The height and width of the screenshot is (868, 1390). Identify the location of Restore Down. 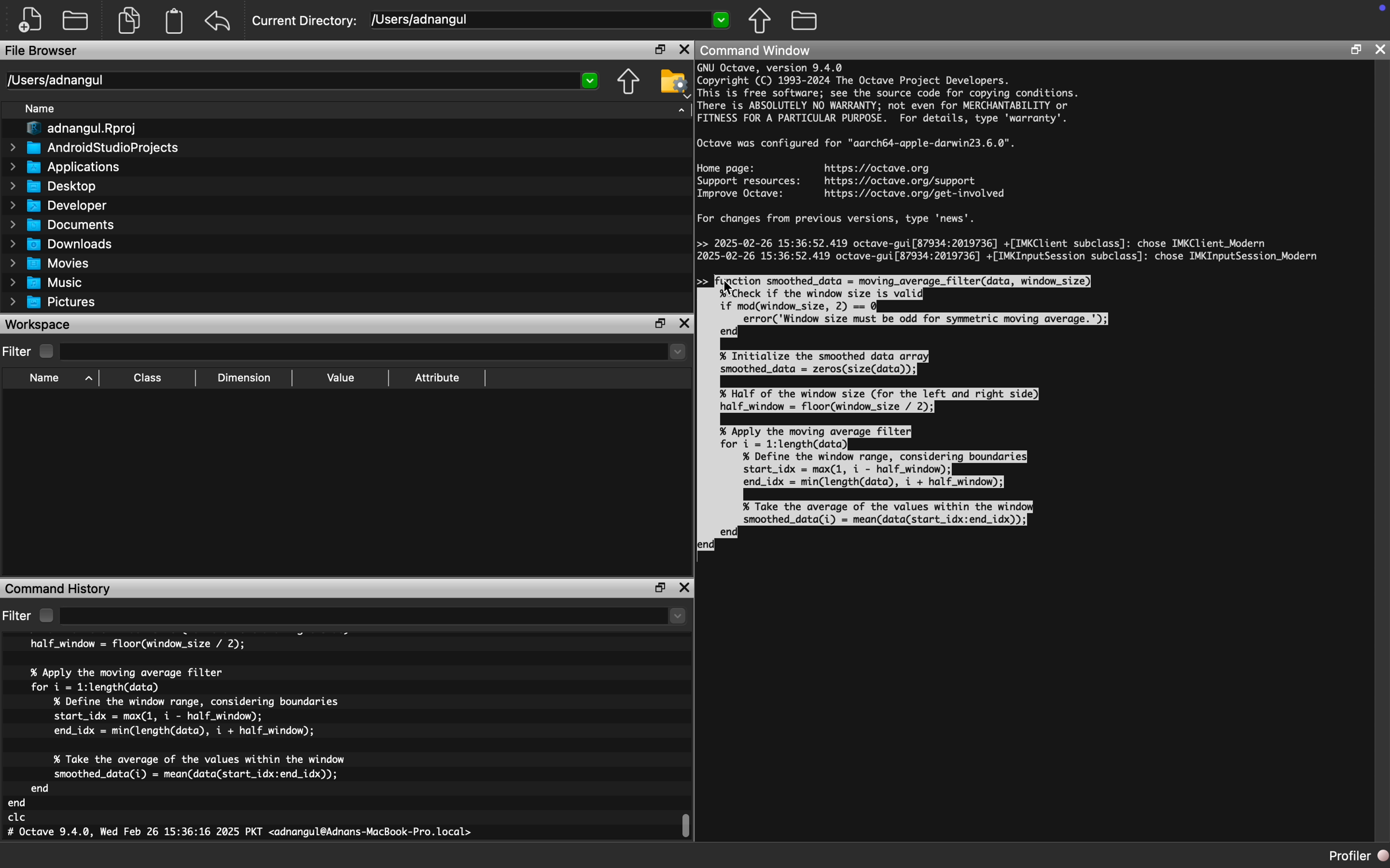
(660, 50).